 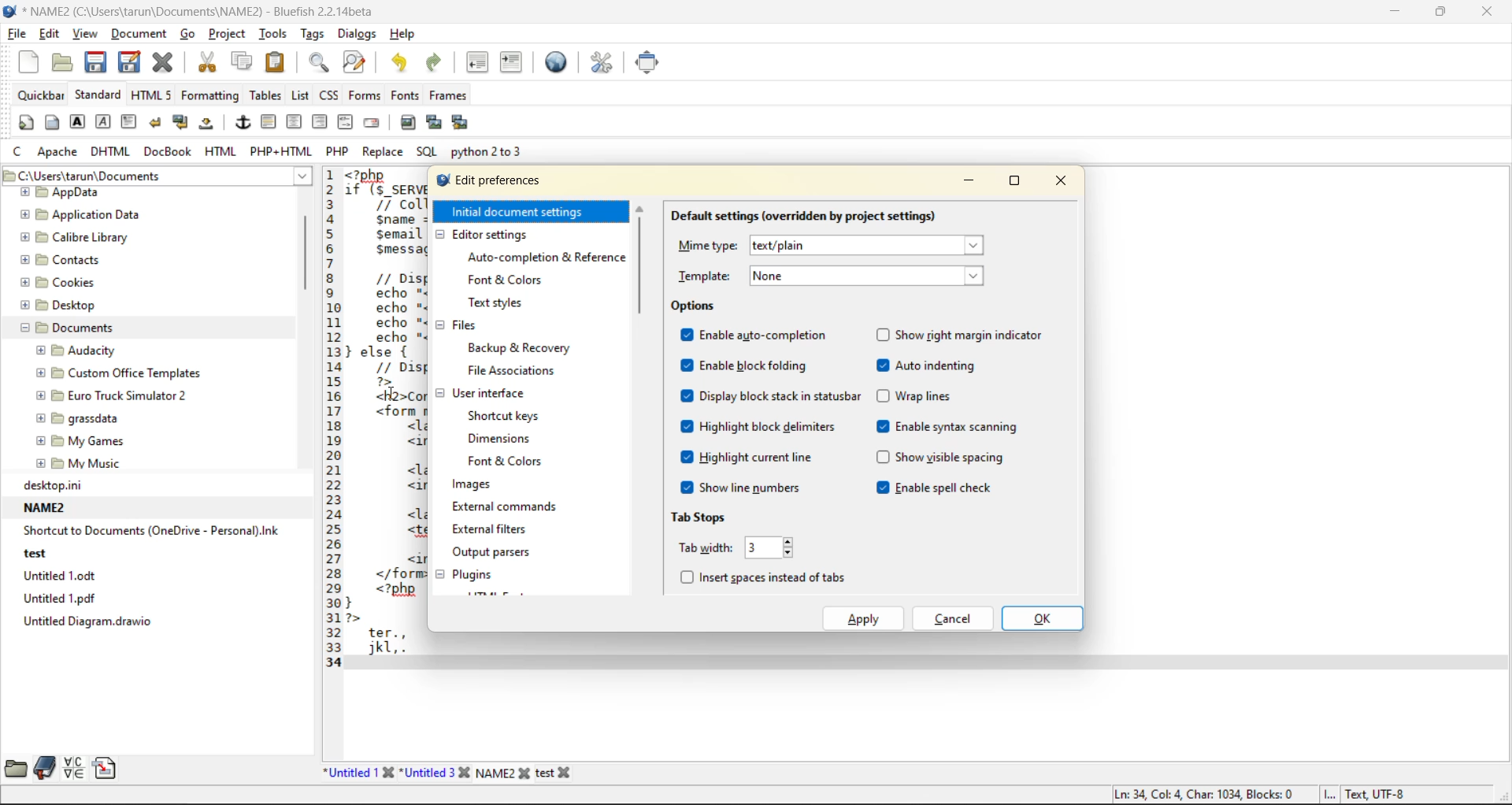 I want to click on Audacity, so click(x=79, y=348).